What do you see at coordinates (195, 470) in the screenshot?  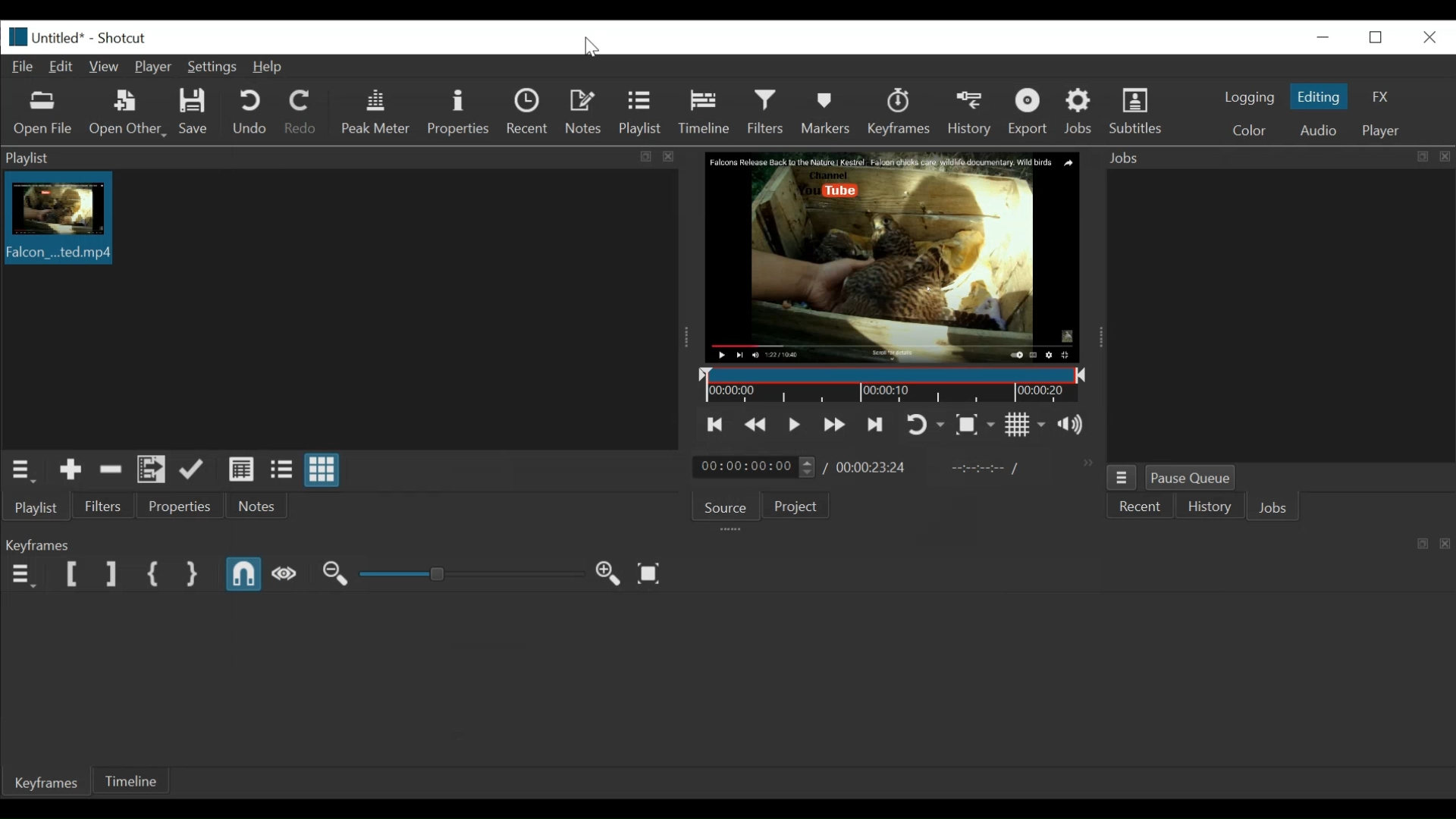 I see `Update` at bounding box center [195, 470].